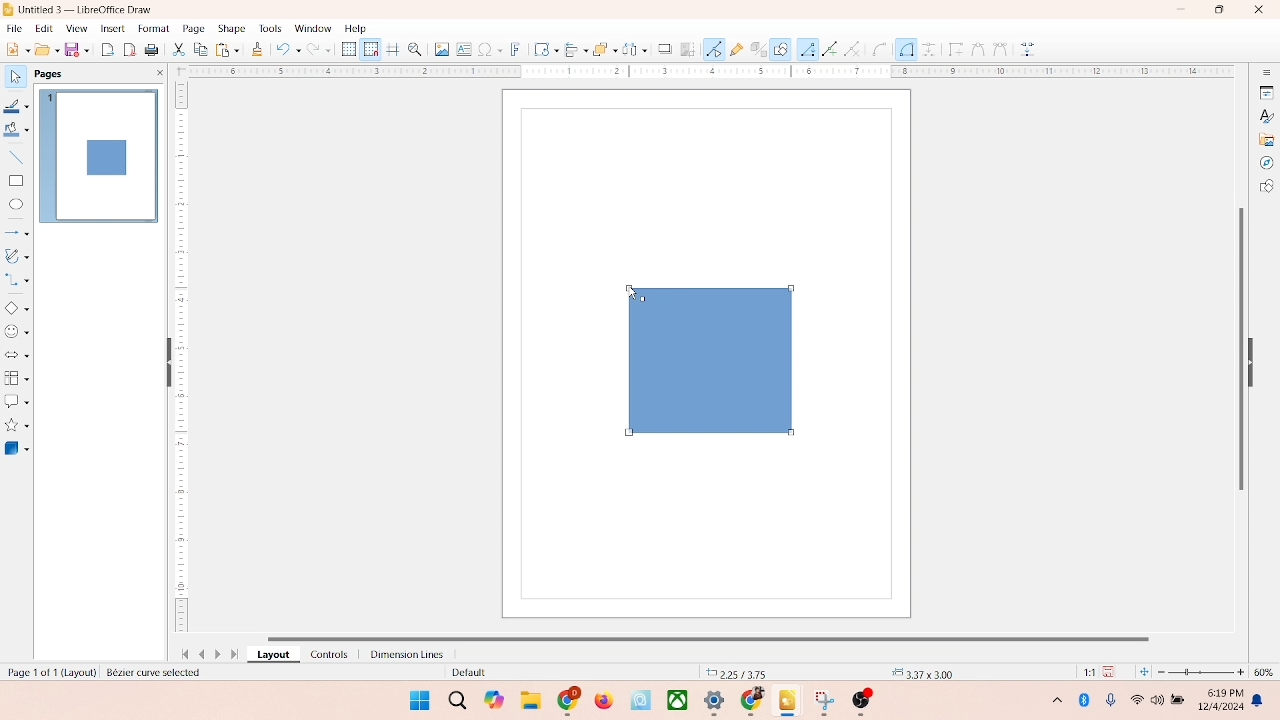  I want to click on properties, so click(1265, 91).